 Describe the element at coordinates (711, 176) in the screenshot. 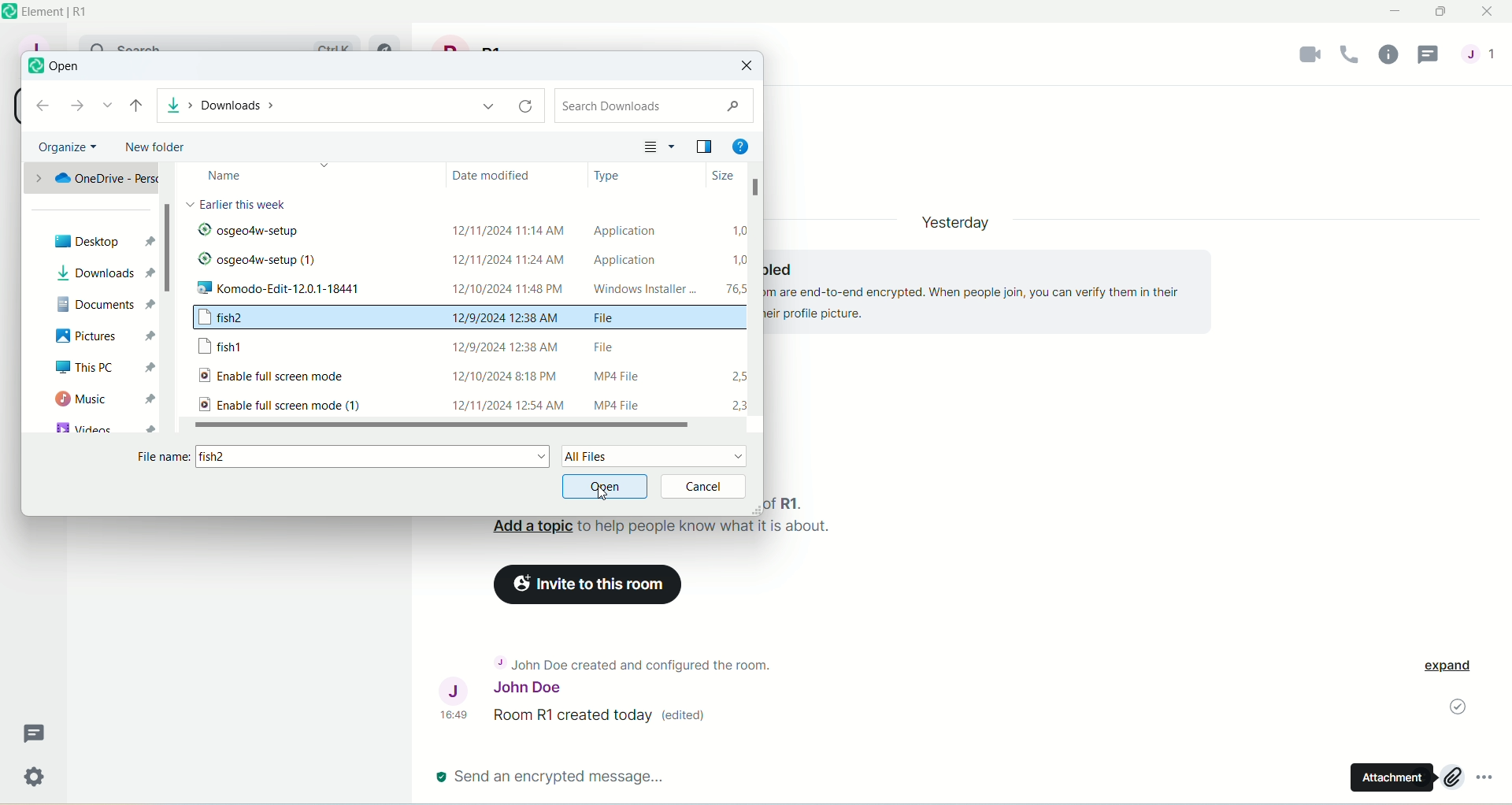

I see `size` at that location.